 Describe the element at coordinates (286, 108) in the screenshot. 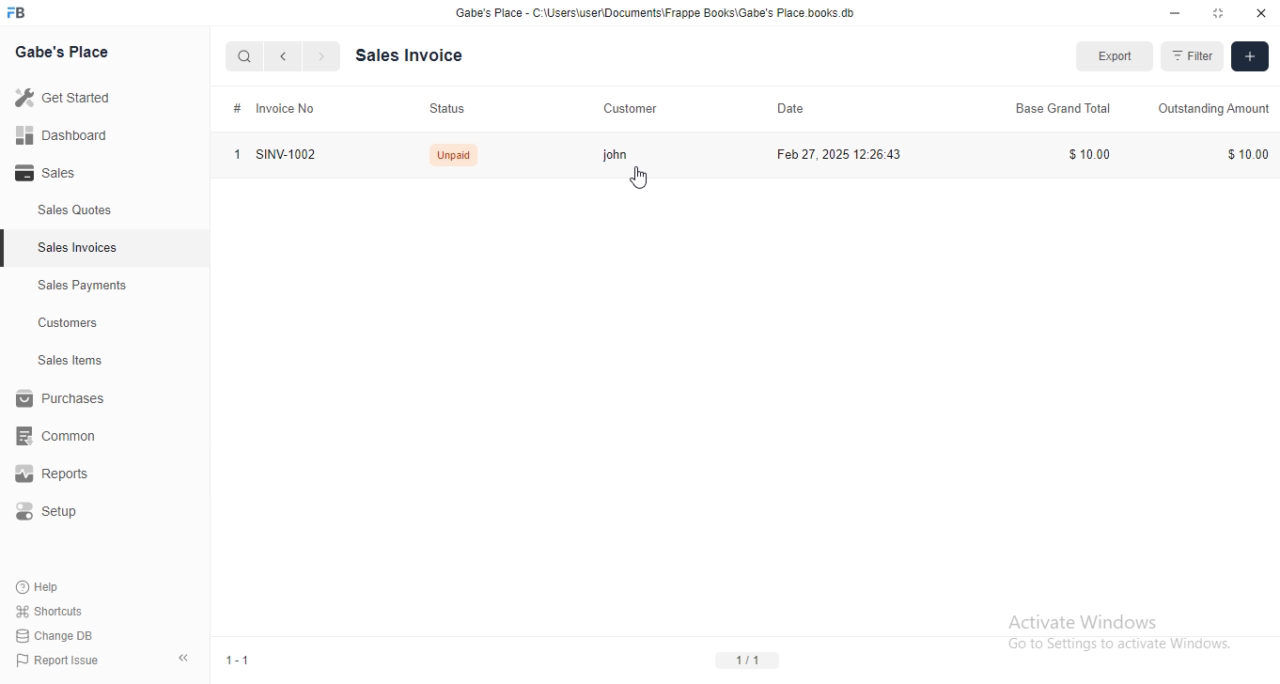

I see `invoice no` at that location.